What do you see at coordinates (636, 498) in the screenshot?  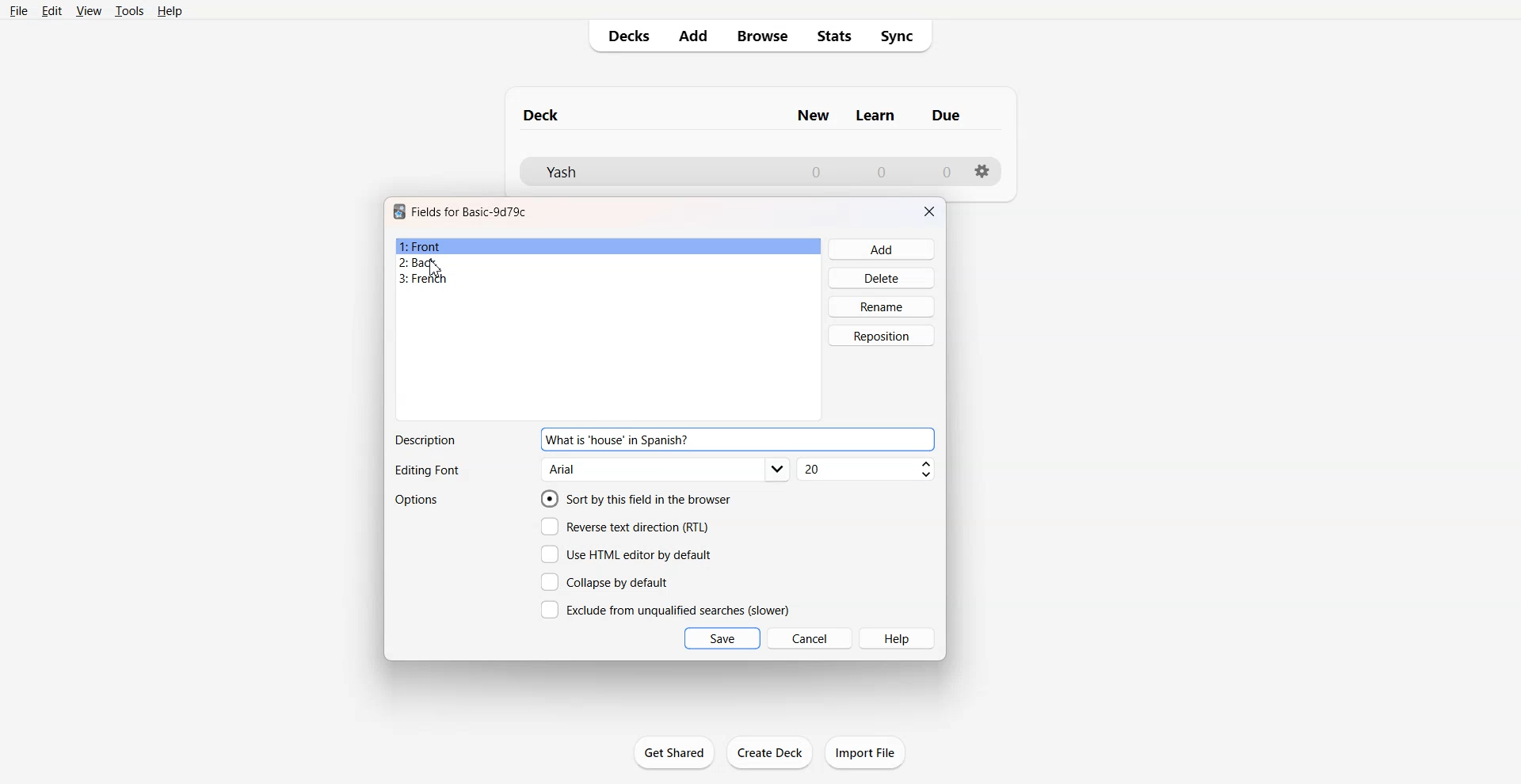 I see `Sort by this field in the browser` at bounding box center [636, 498].